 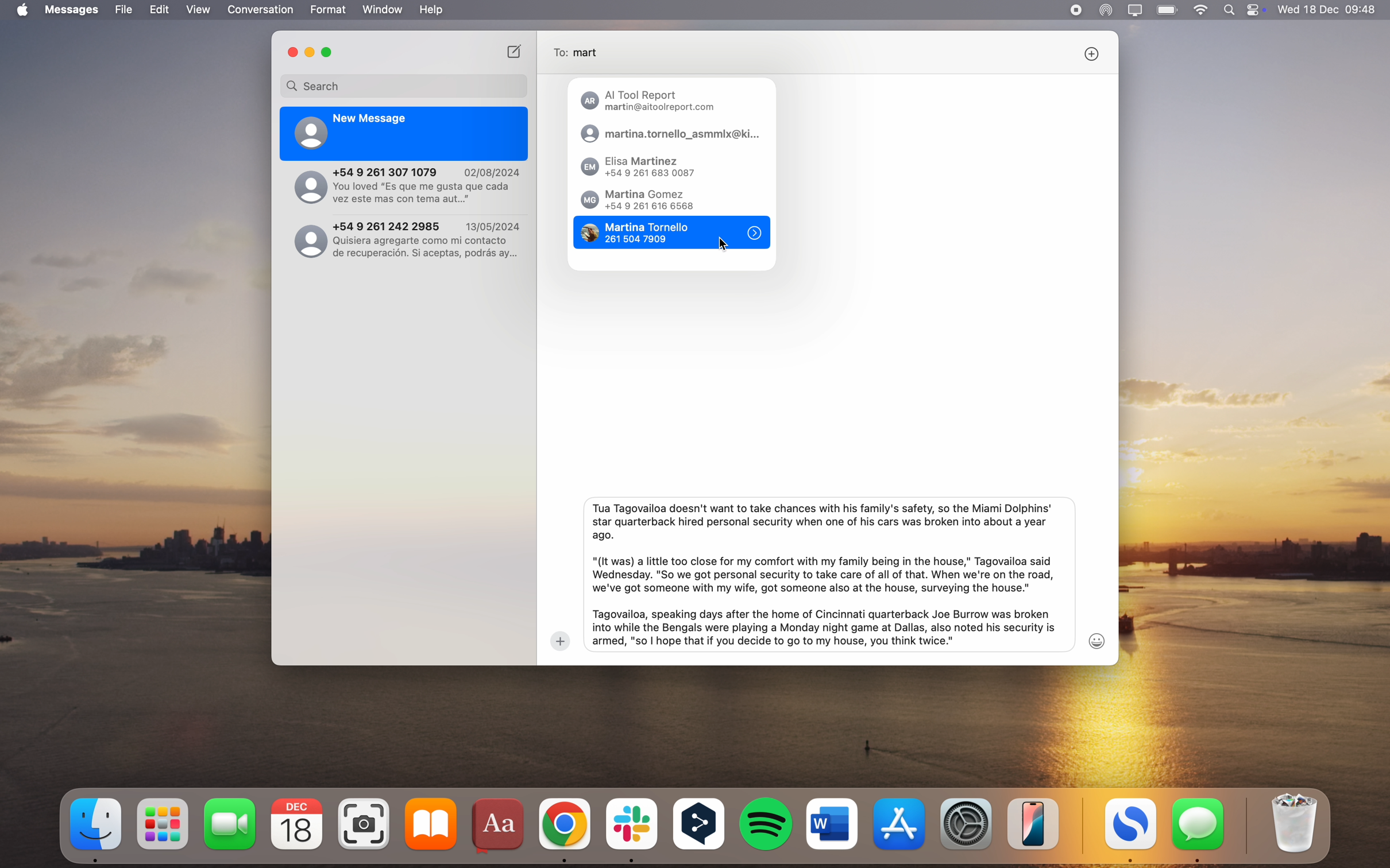 What do you see at coordinates (1136, 10) in the screenshot?
I see `screen` at bounding box center [1136, 10].